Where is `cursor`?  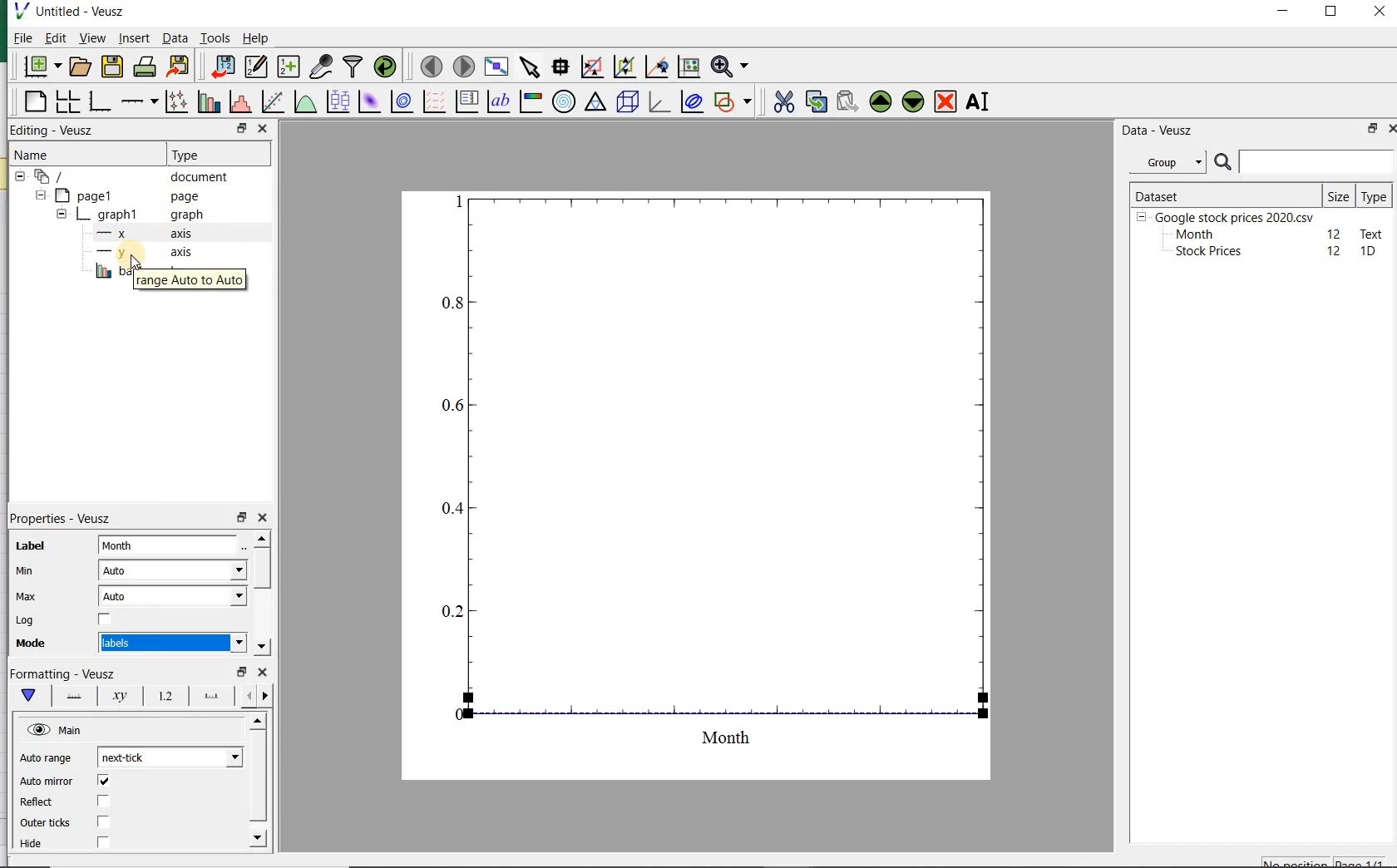 cursor is located at coordinates (135, 269).